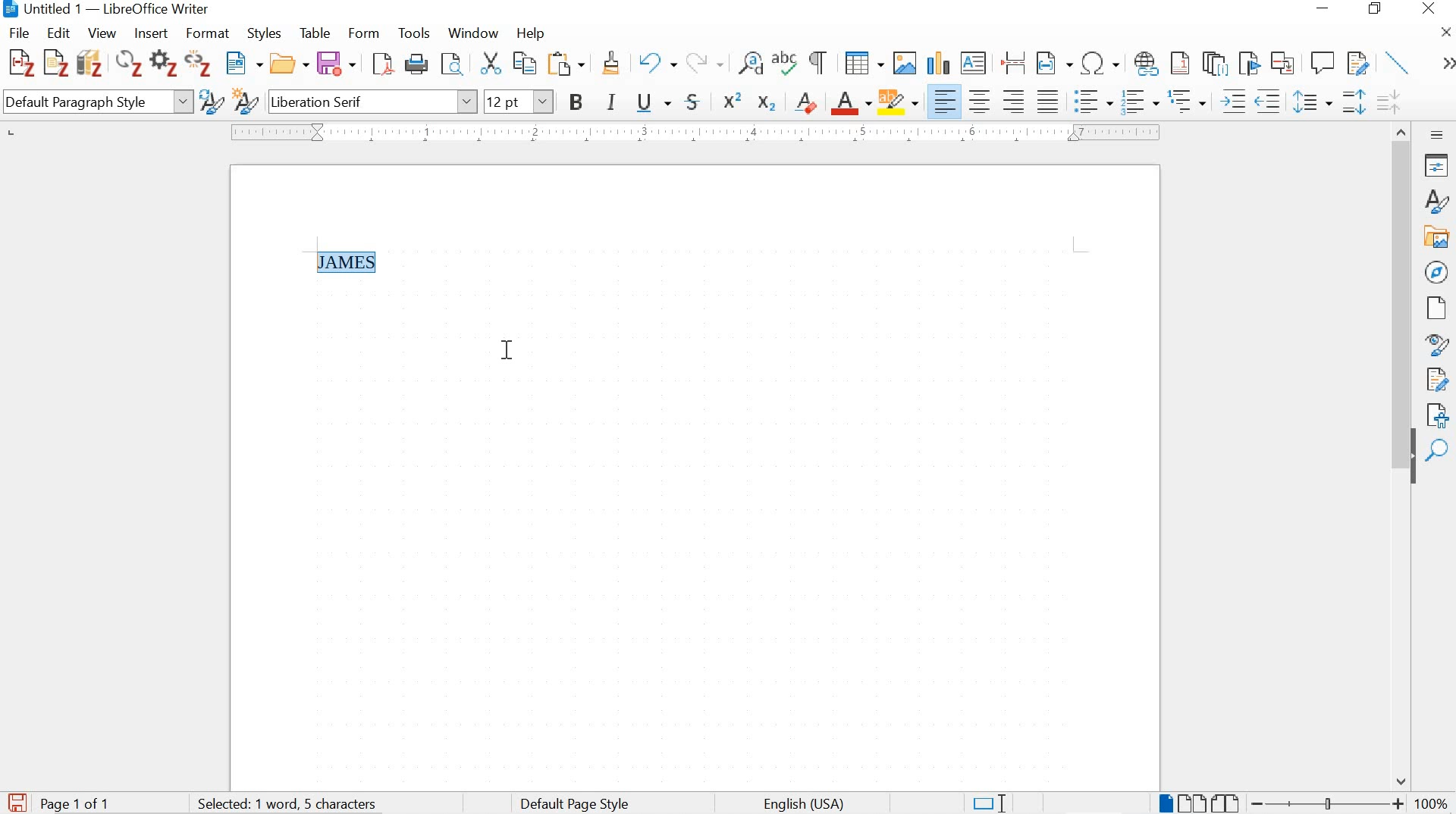 The height and width of the screenshot is (814, 1456). I want to click on scrollbar, so click(1400, 282).